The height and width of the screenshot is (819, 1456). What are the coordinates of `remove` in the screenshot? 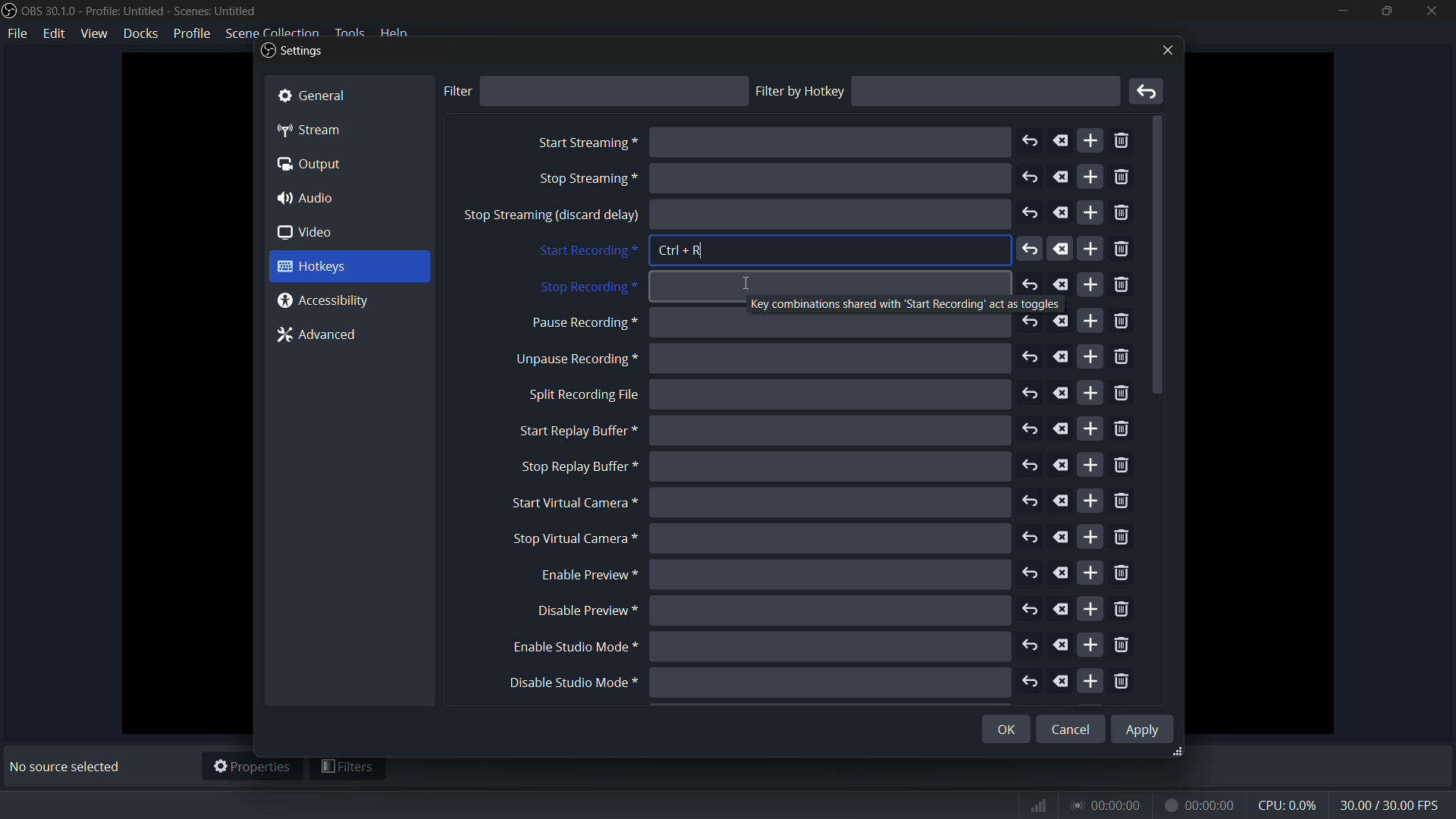 It's located at (1122, 430).